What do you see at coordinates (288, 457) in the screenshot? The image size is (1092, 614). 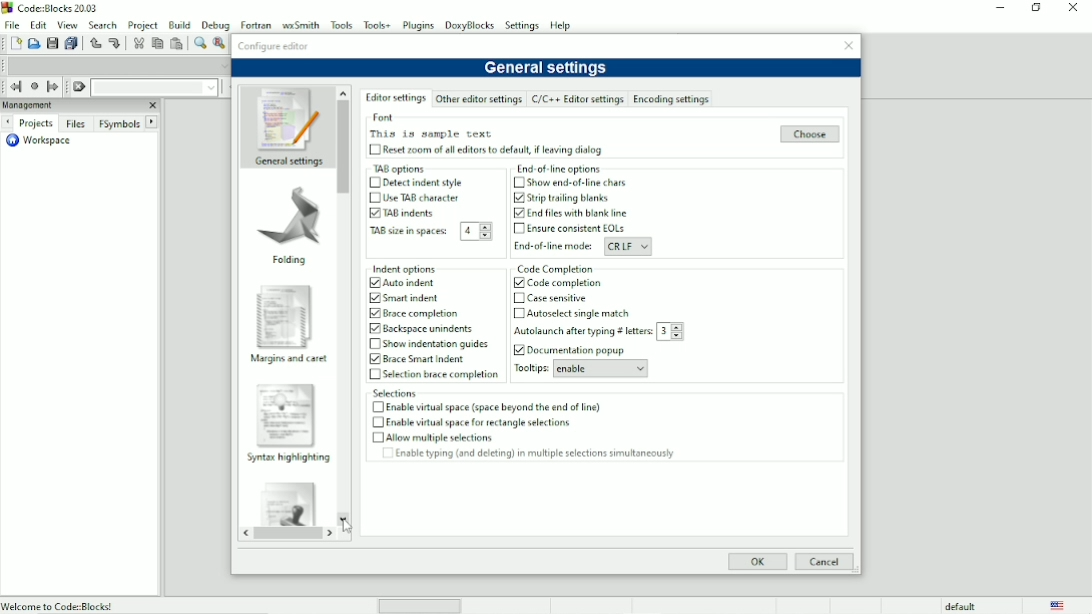 I see `Syntax highlighting` at bounding box center [288, 457].